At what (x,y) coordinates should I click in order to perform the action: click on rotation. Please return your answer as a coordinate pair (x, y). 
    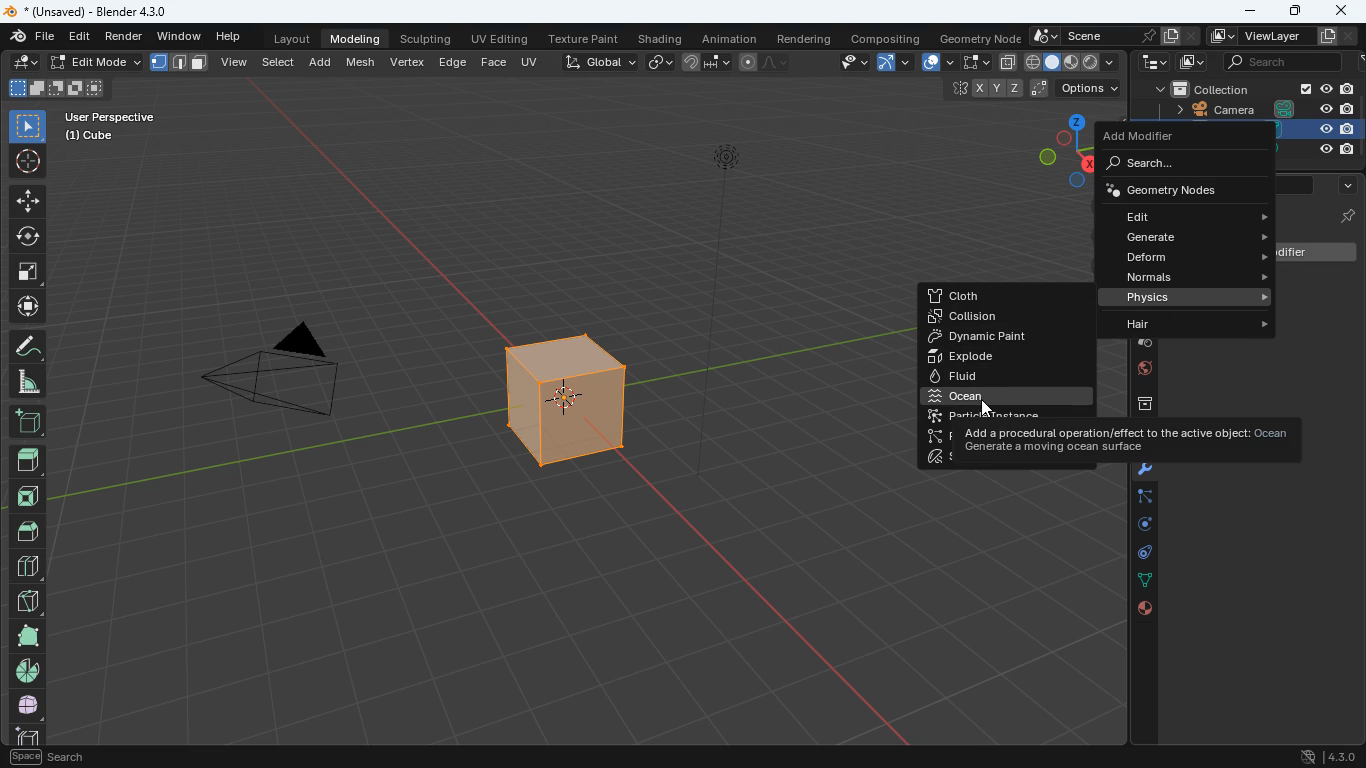
    Looking at the image, I should click on (1137, 526).